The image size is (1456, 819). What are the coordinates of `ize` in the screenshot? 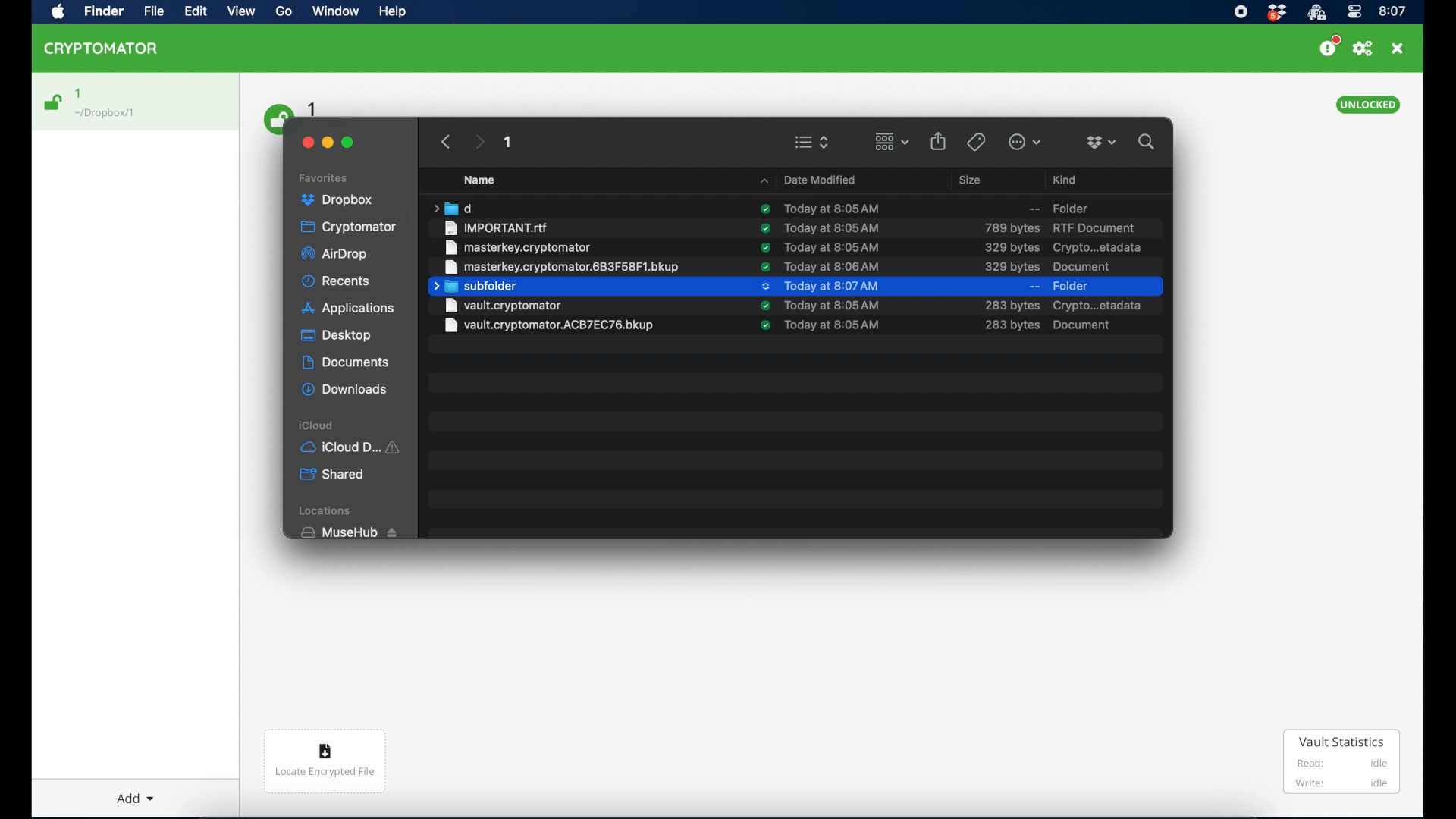 It's located at (1012, 306).